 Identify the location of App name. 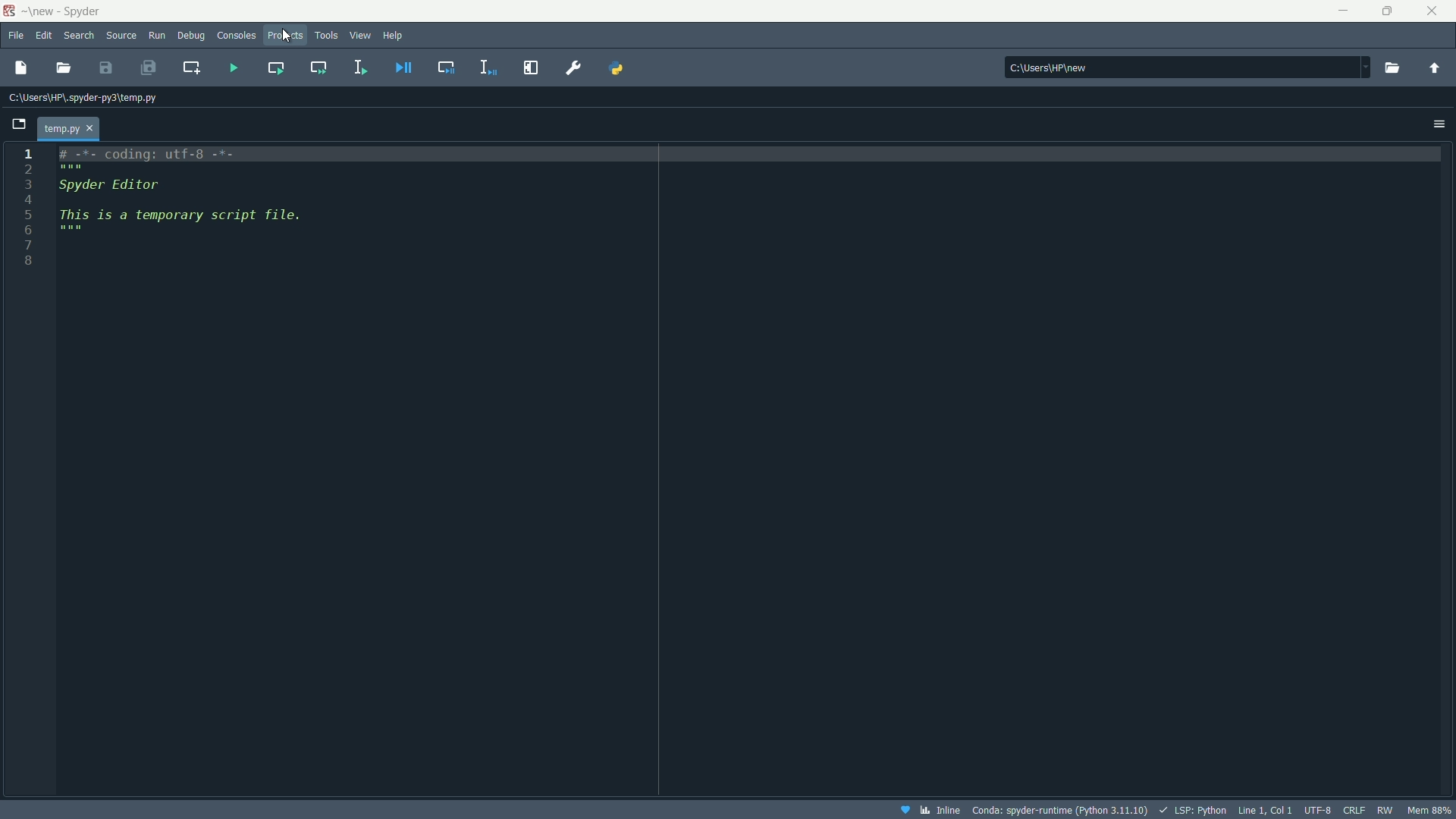
(67, 11).